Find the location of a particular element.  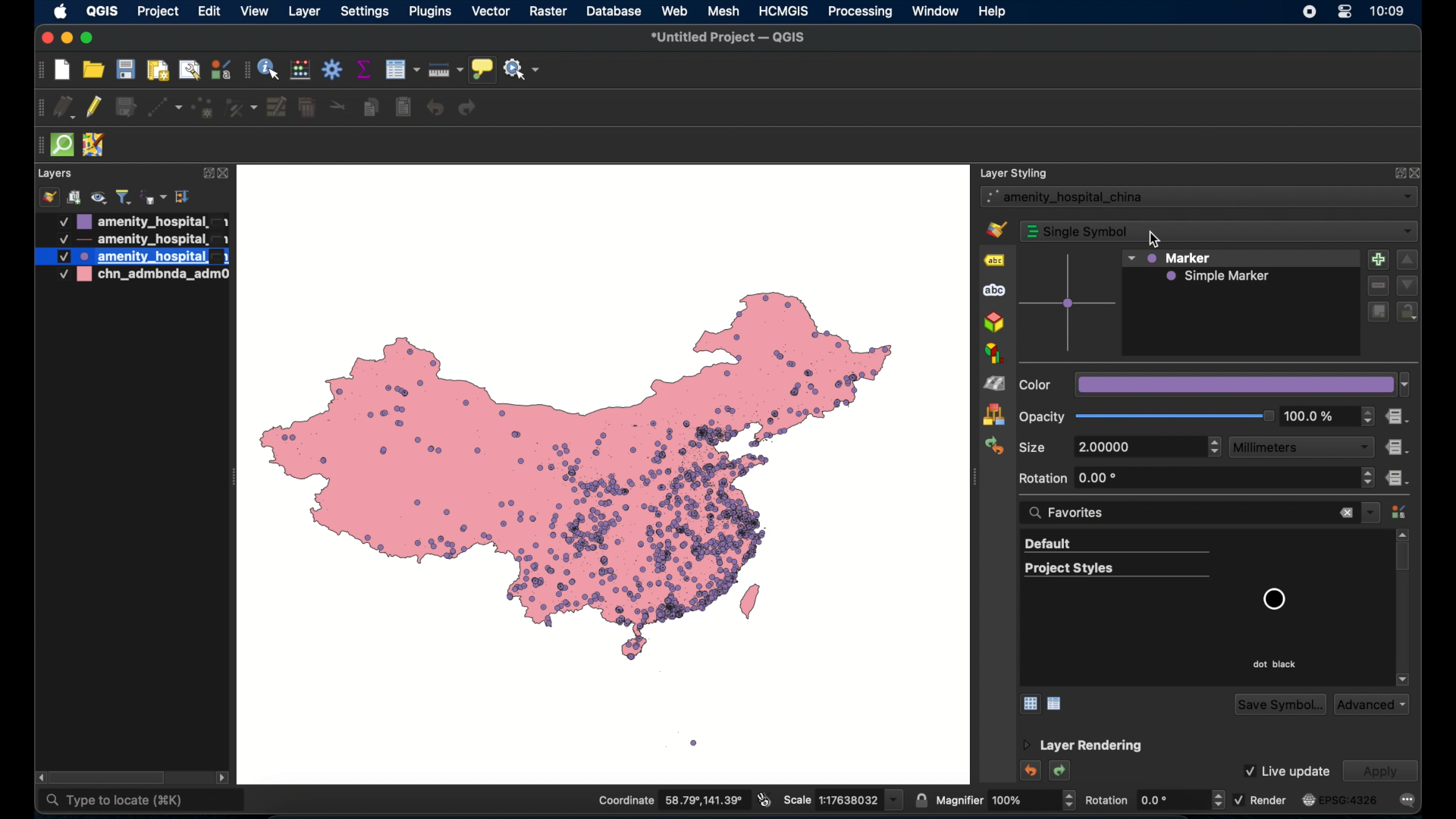

plugins is located at coordinates (431, 11).